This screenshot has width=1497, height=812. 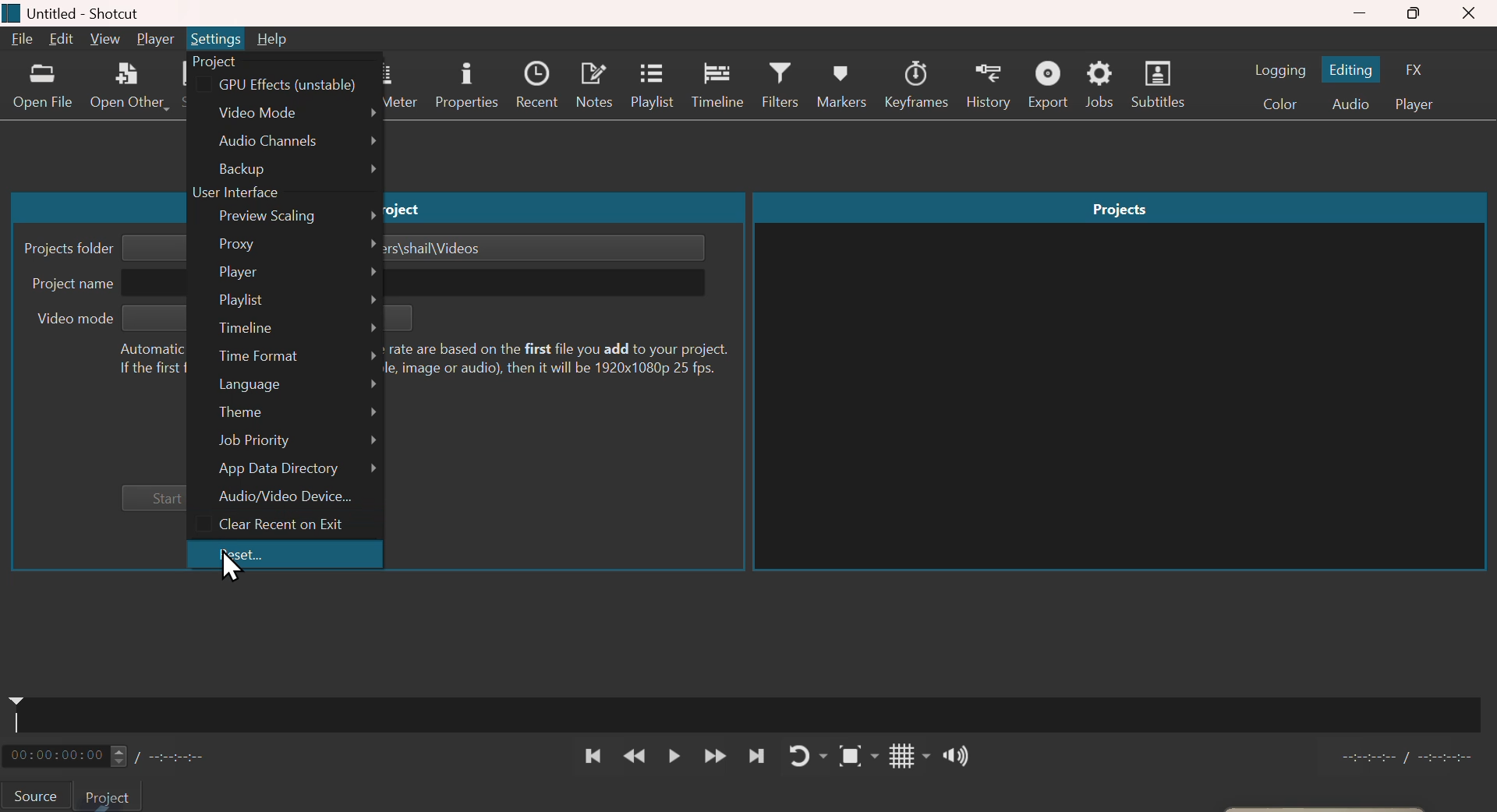 I want to click on Forward, so click(x=714, y=757).